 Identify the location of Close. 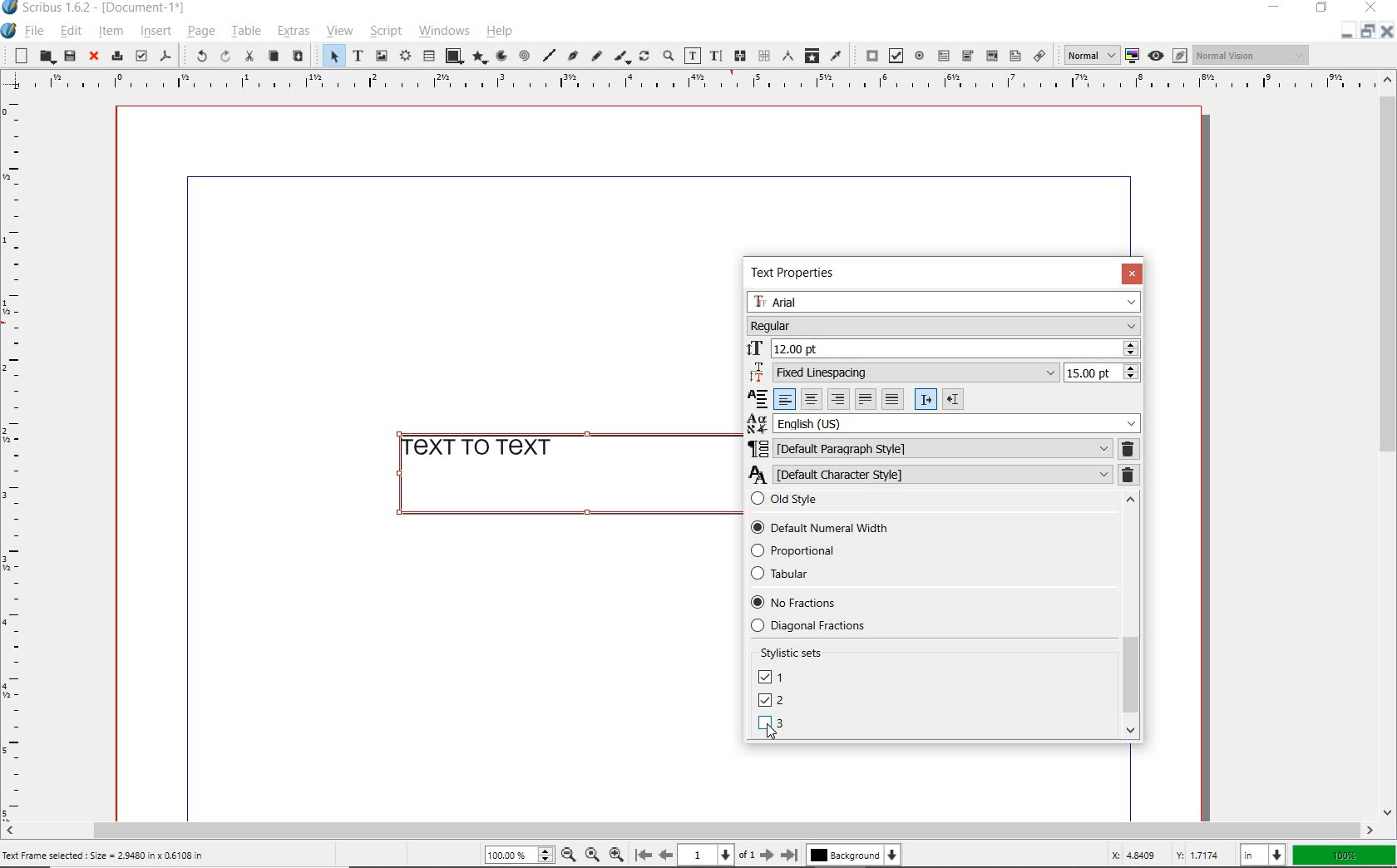
(1385, 33).